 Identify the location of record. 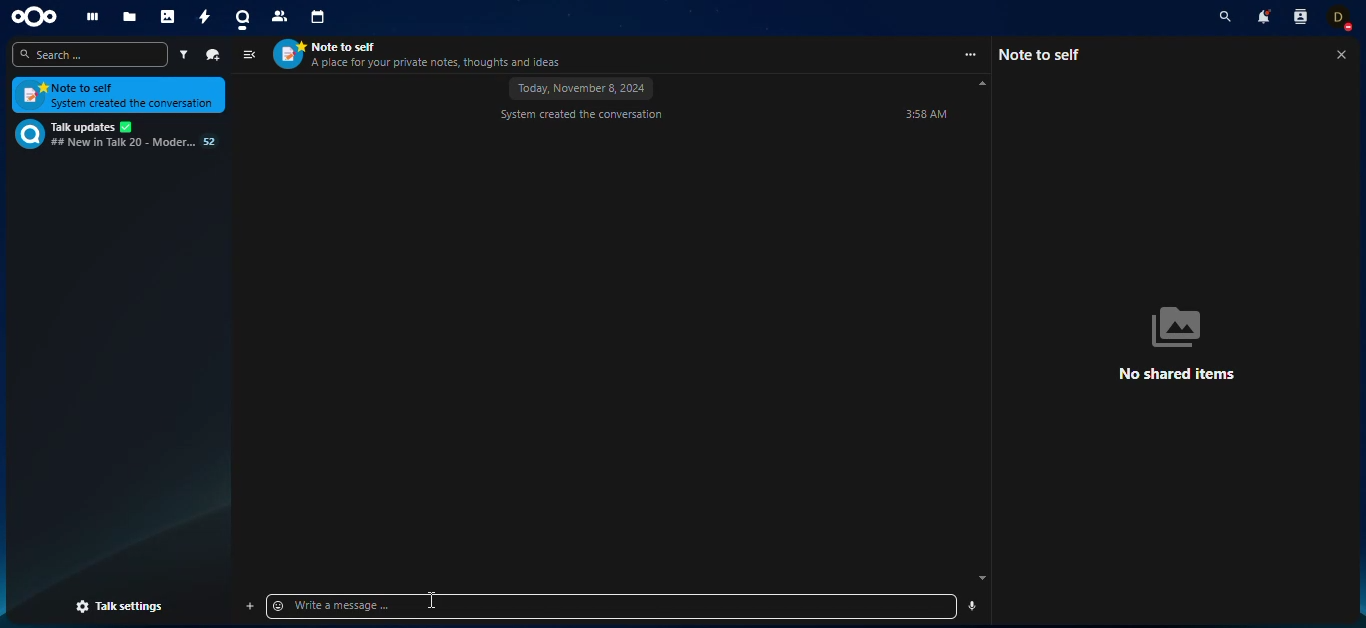
(973, 605).